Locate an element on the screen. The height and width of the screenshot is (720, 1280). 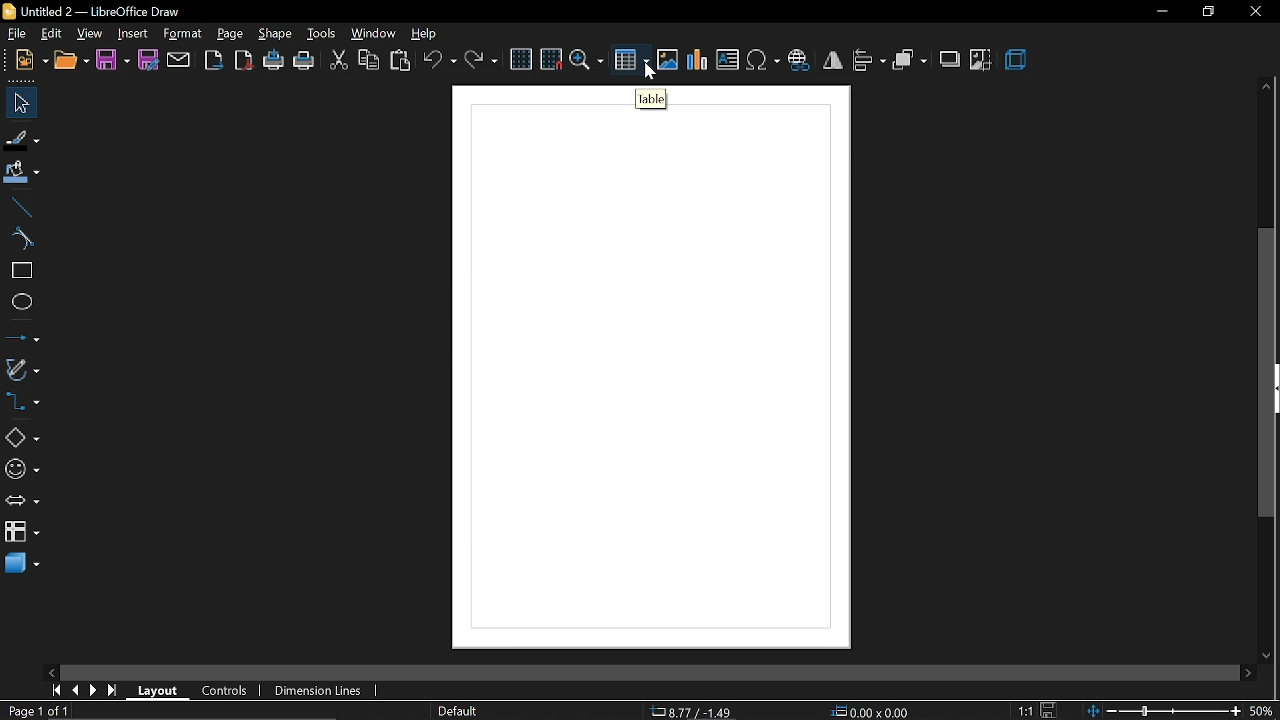
shadow is located at coordinates (949, 61).